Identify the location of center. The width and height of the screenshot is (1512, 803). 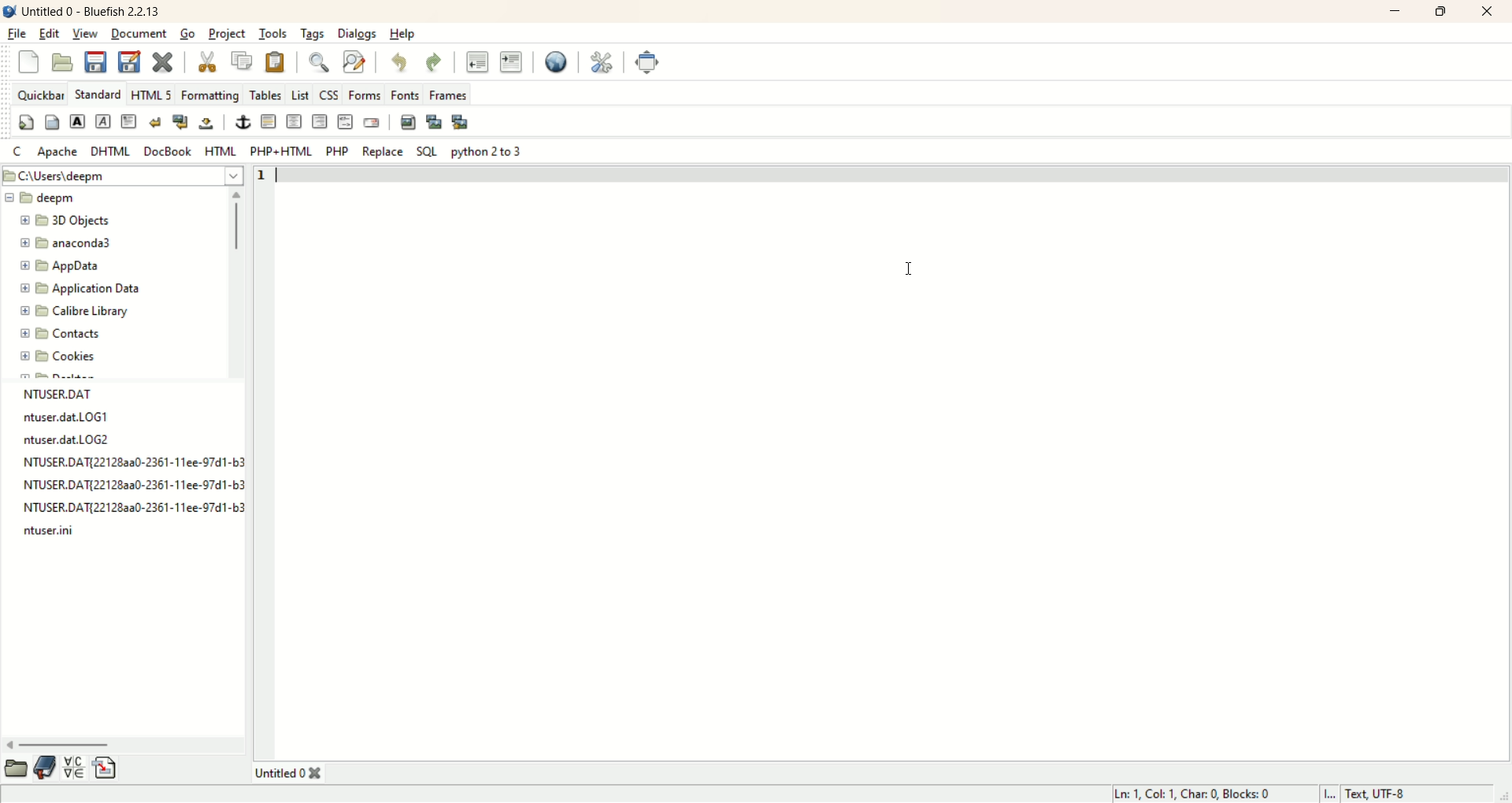
(294, 123).